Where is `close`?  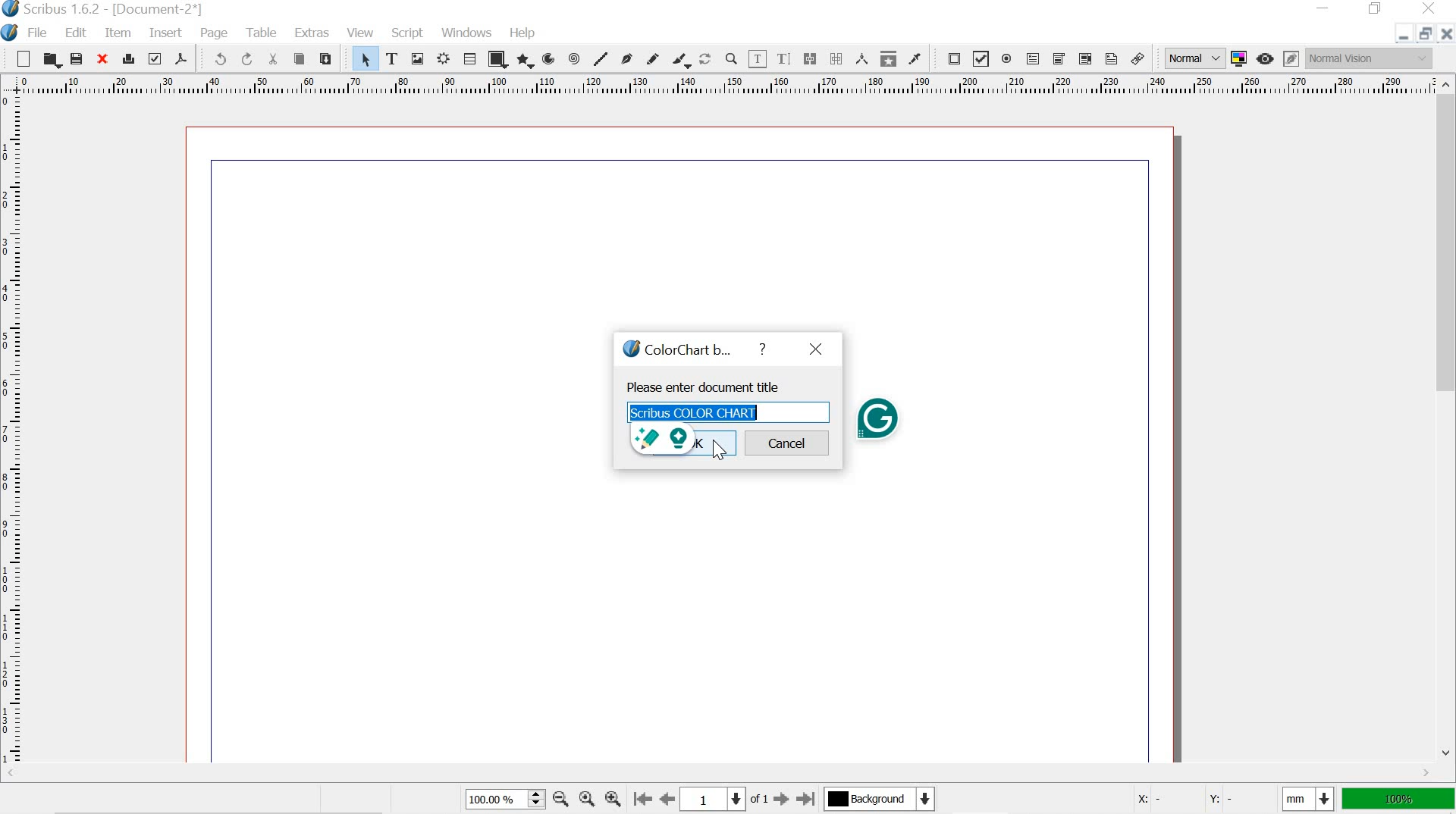 close is located at coordinates (101, 60).